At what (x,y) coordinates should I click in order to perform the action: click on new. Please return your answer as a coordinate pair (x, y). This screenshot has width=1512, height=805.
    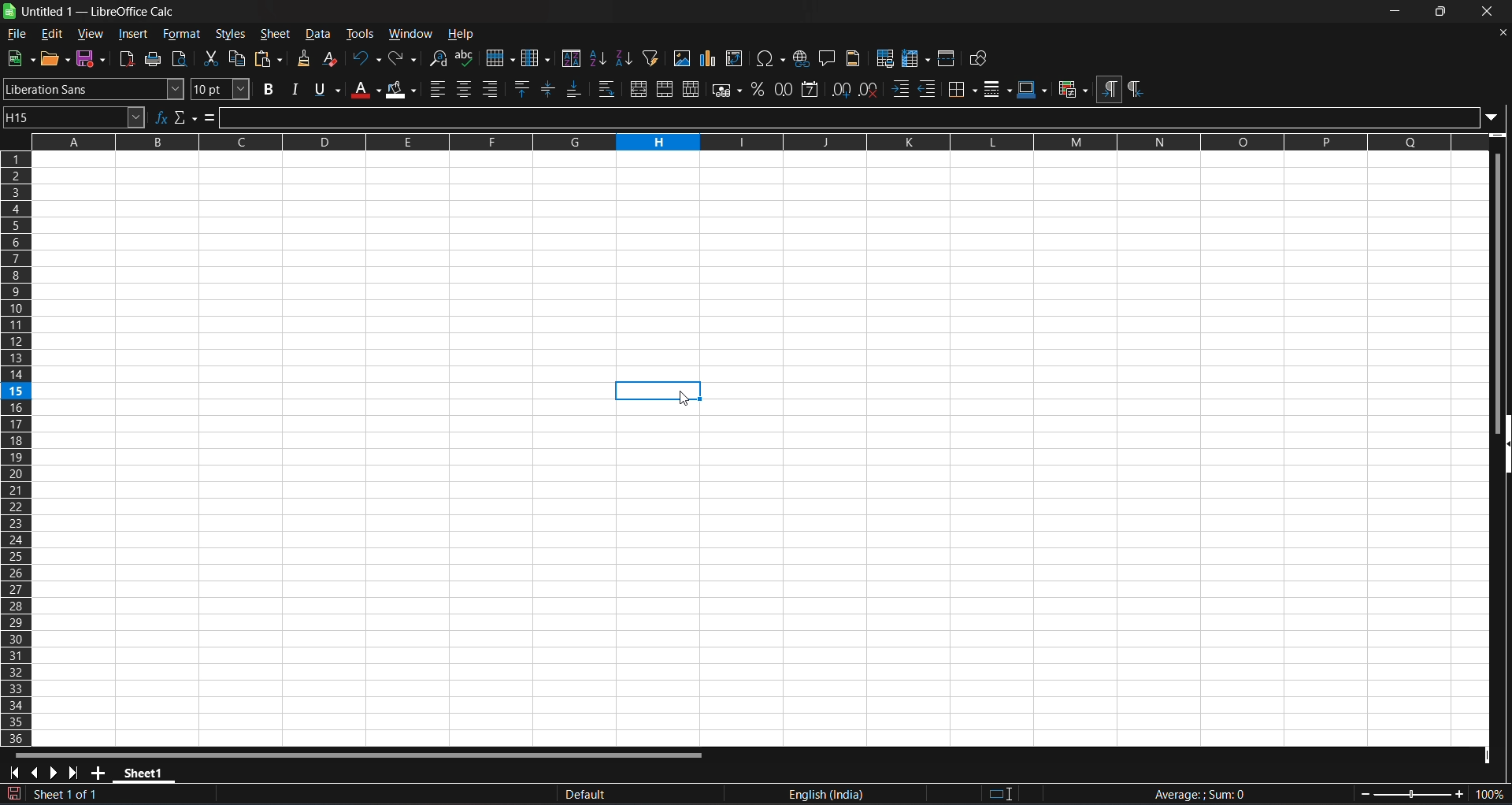
    Looking at the image, I should click on (21, 58).